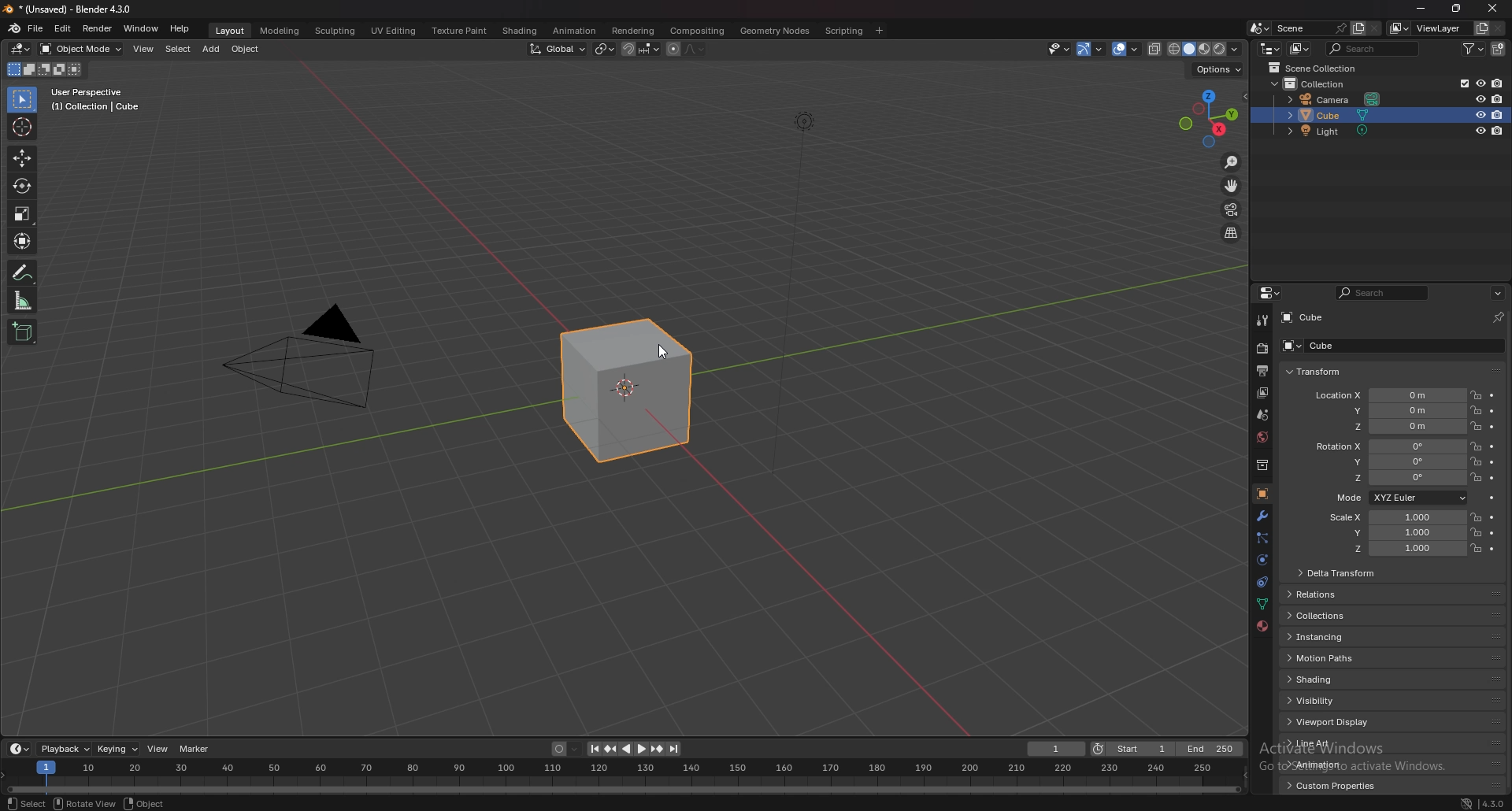 The width and height of the screenshot is (1512, 811). Describe the element at coordinates (177, 50) in the screenshot. I see `select` at that location.